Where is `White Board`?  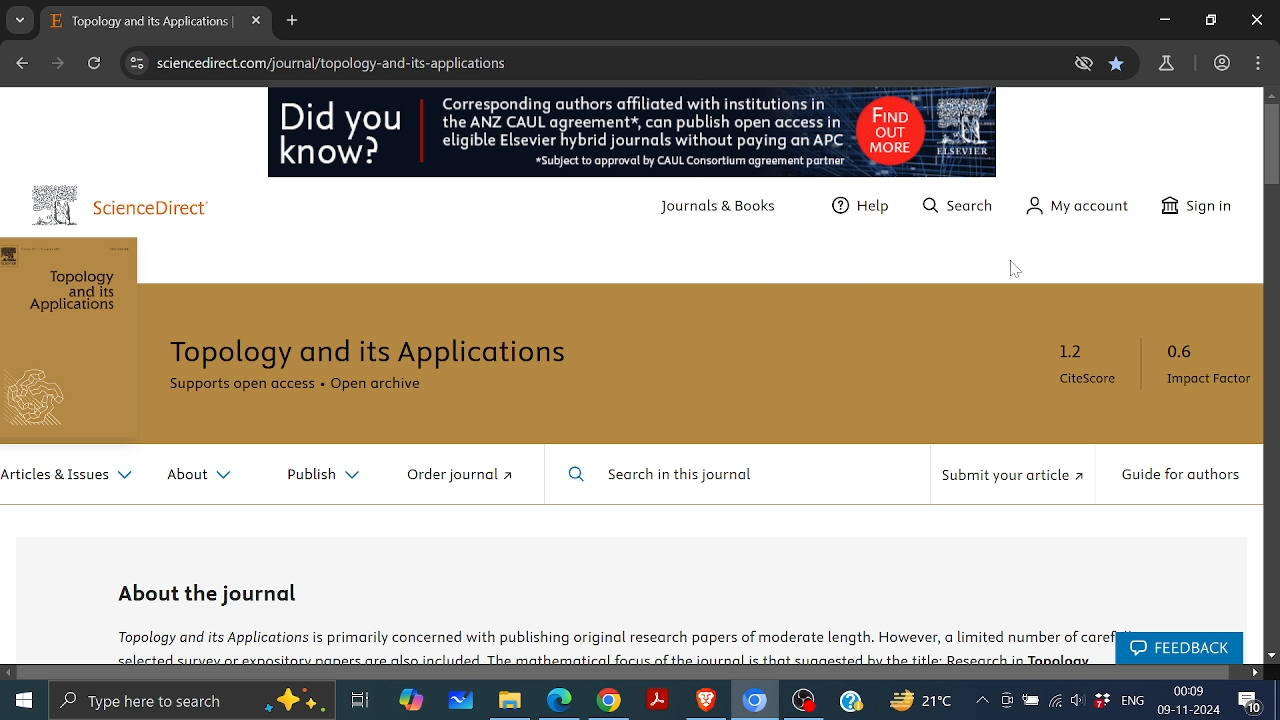 White Board is located at coordinates (460, 699).